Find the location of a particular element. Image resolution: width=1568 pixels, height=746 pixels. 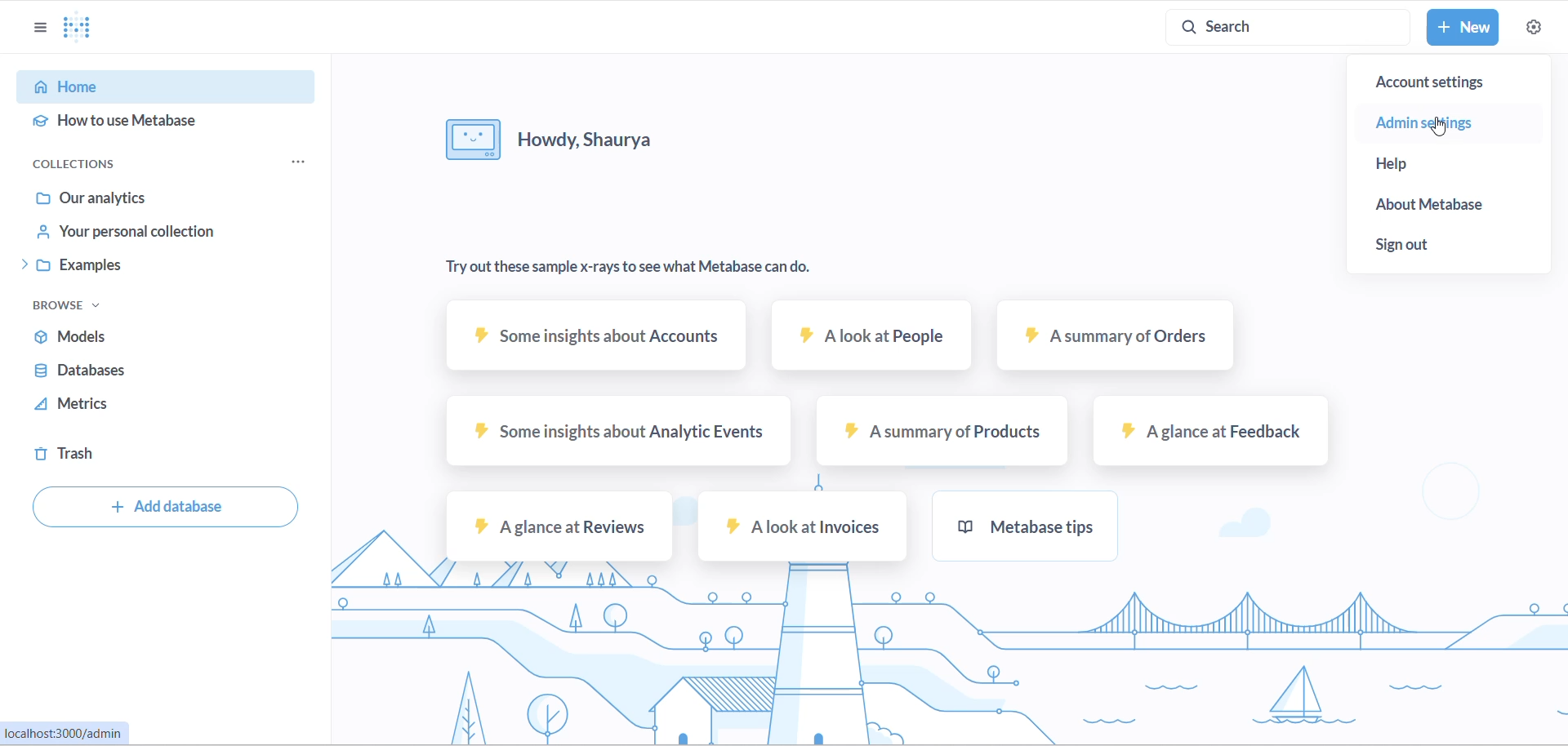

A summary of orders sample is located at coordinates (1120, 336).